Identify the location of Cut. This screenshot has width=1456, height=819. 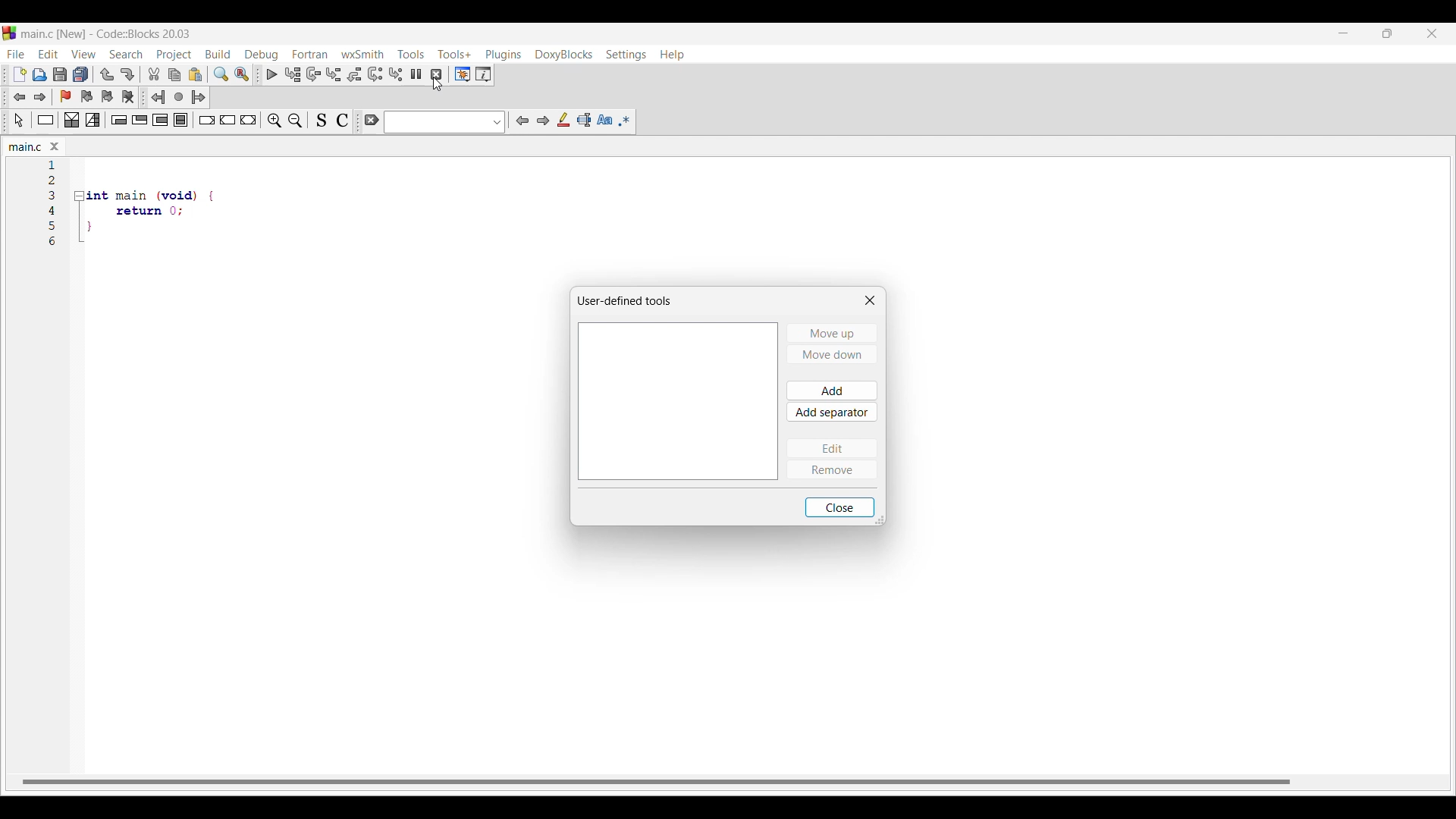
(154, 74).